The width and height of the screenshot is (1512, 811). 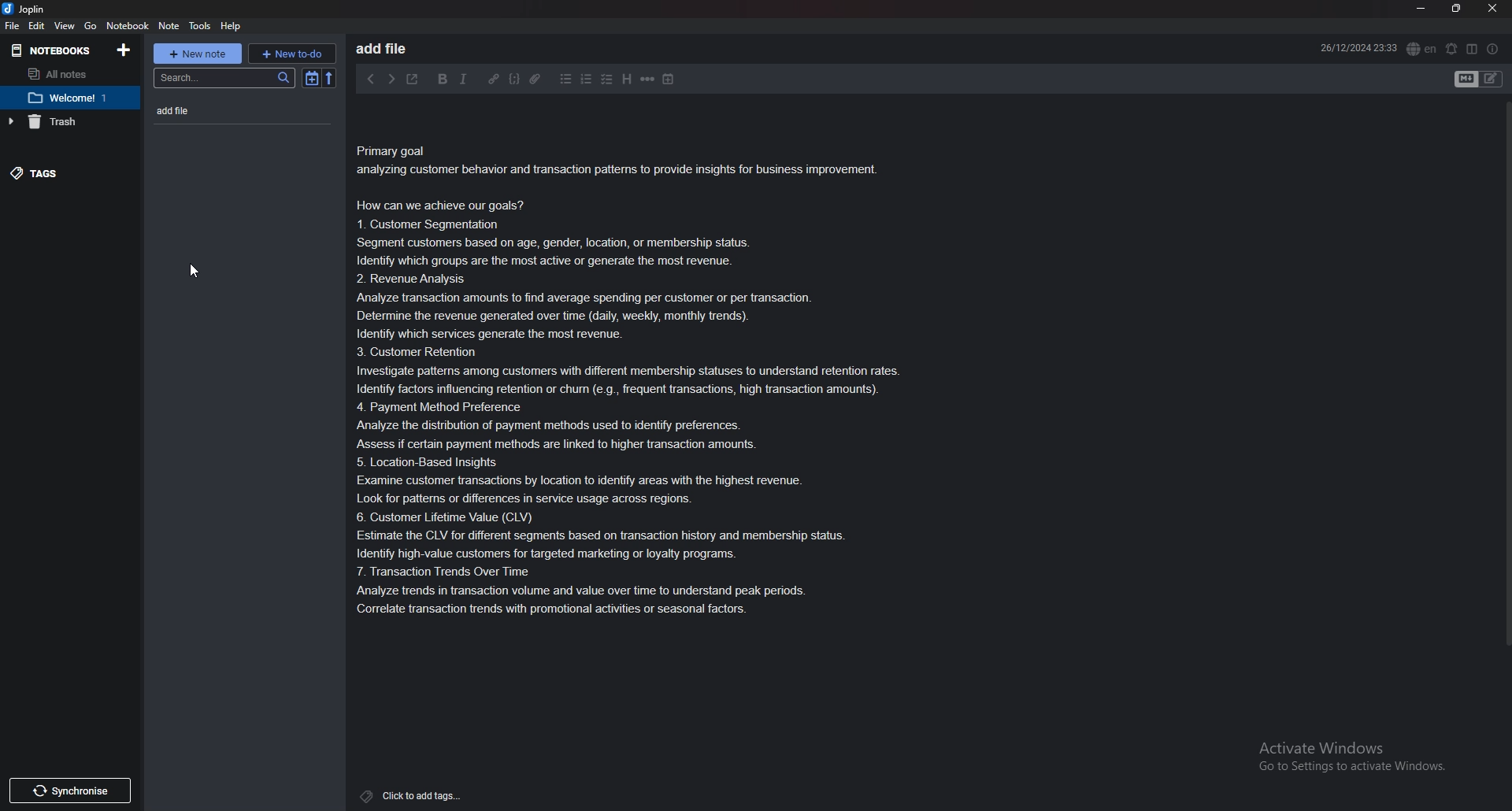 What do you see at coordinates (232, 26) in the screenshot?
I see `help` at bounding box center [232, 26].